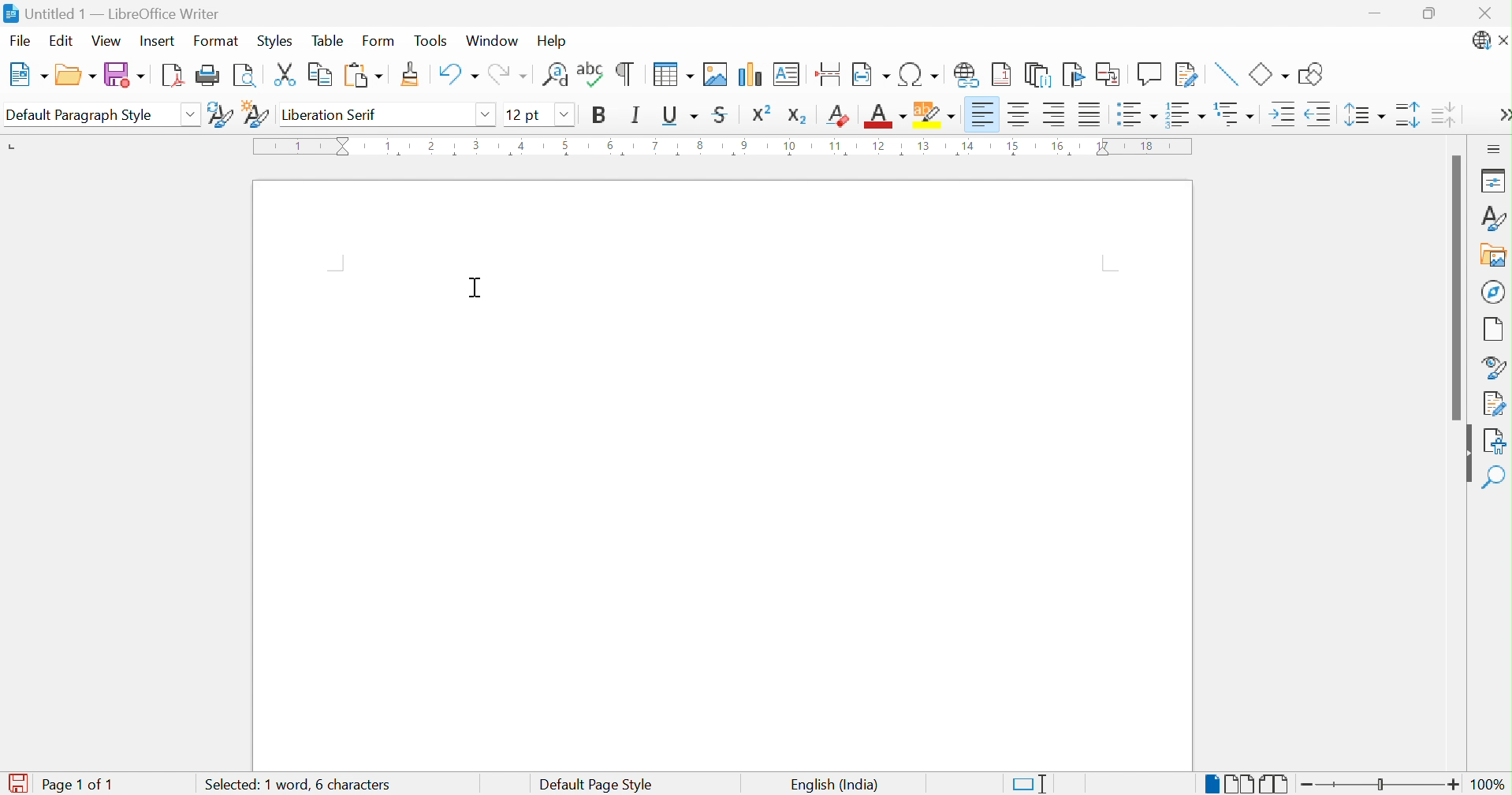  Describe the element at coordinates (1408, 116) in the screenshot. I see `Increase Paragraph Spacing` at that location.